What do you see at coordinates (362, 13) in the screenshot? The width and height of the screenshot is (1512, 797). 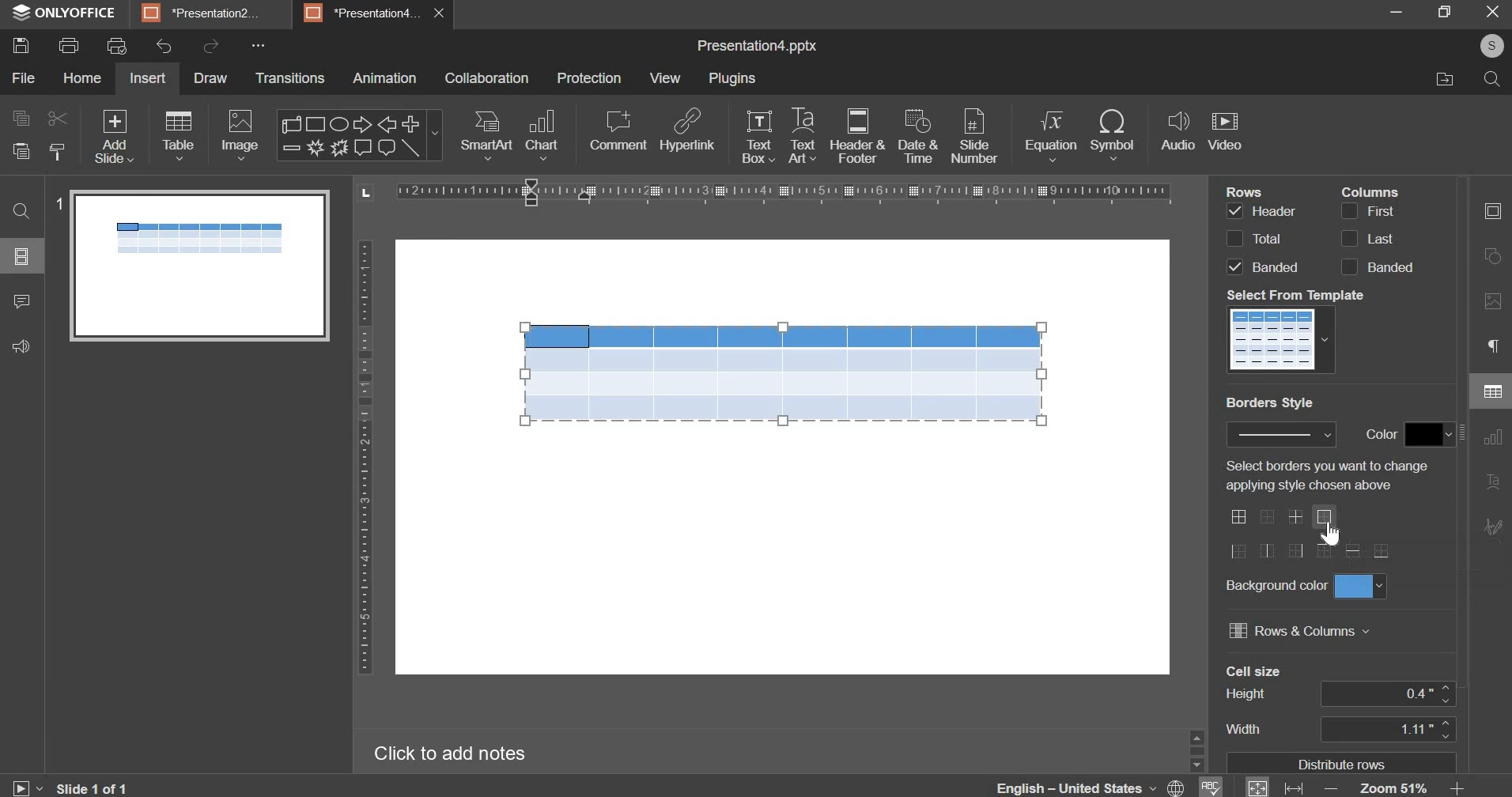 I see `*Presentation4...` at bounding box center [362, 13].